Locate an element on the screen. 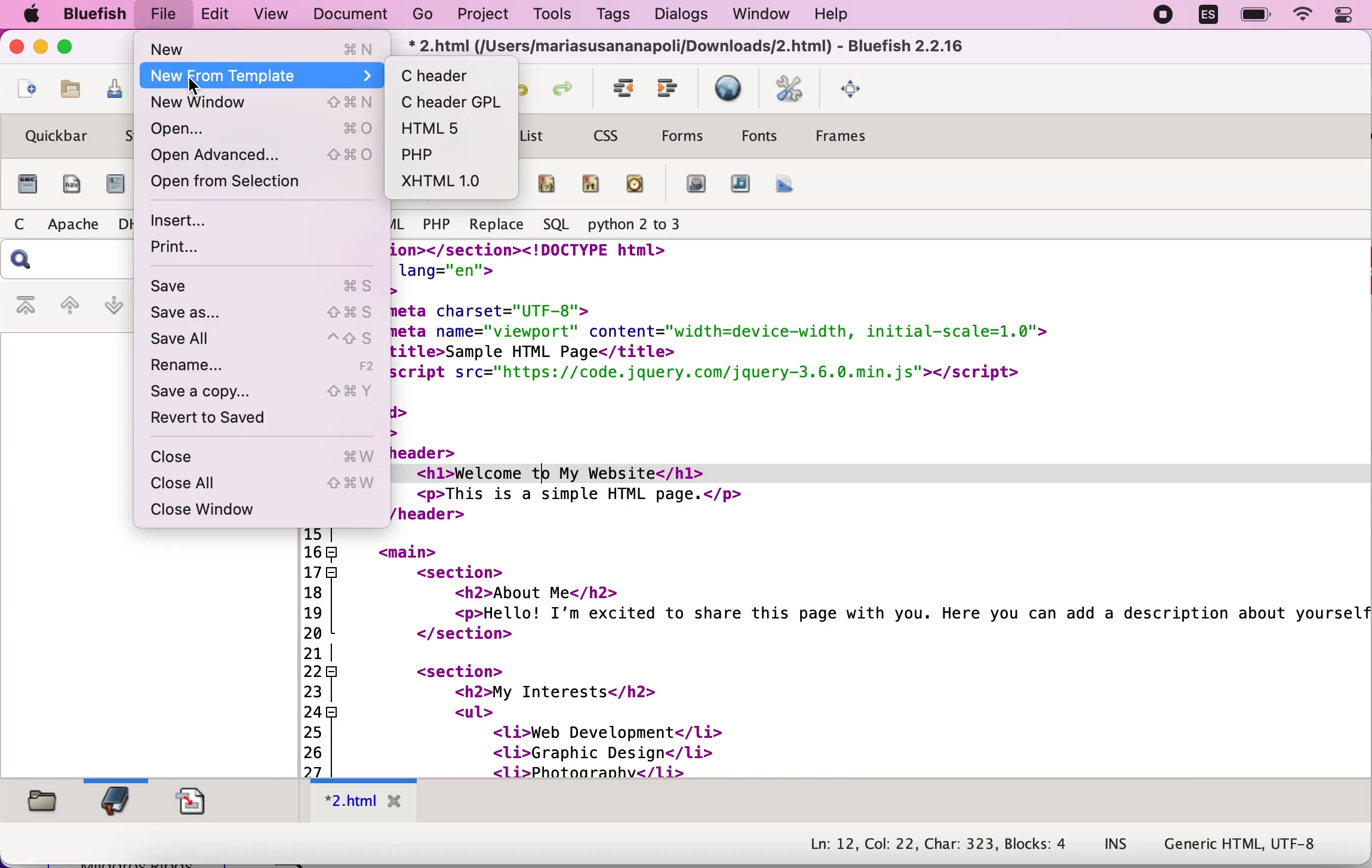 The height and width of the screenshot is (868, 1372). window is located at coordinates (755, 14).